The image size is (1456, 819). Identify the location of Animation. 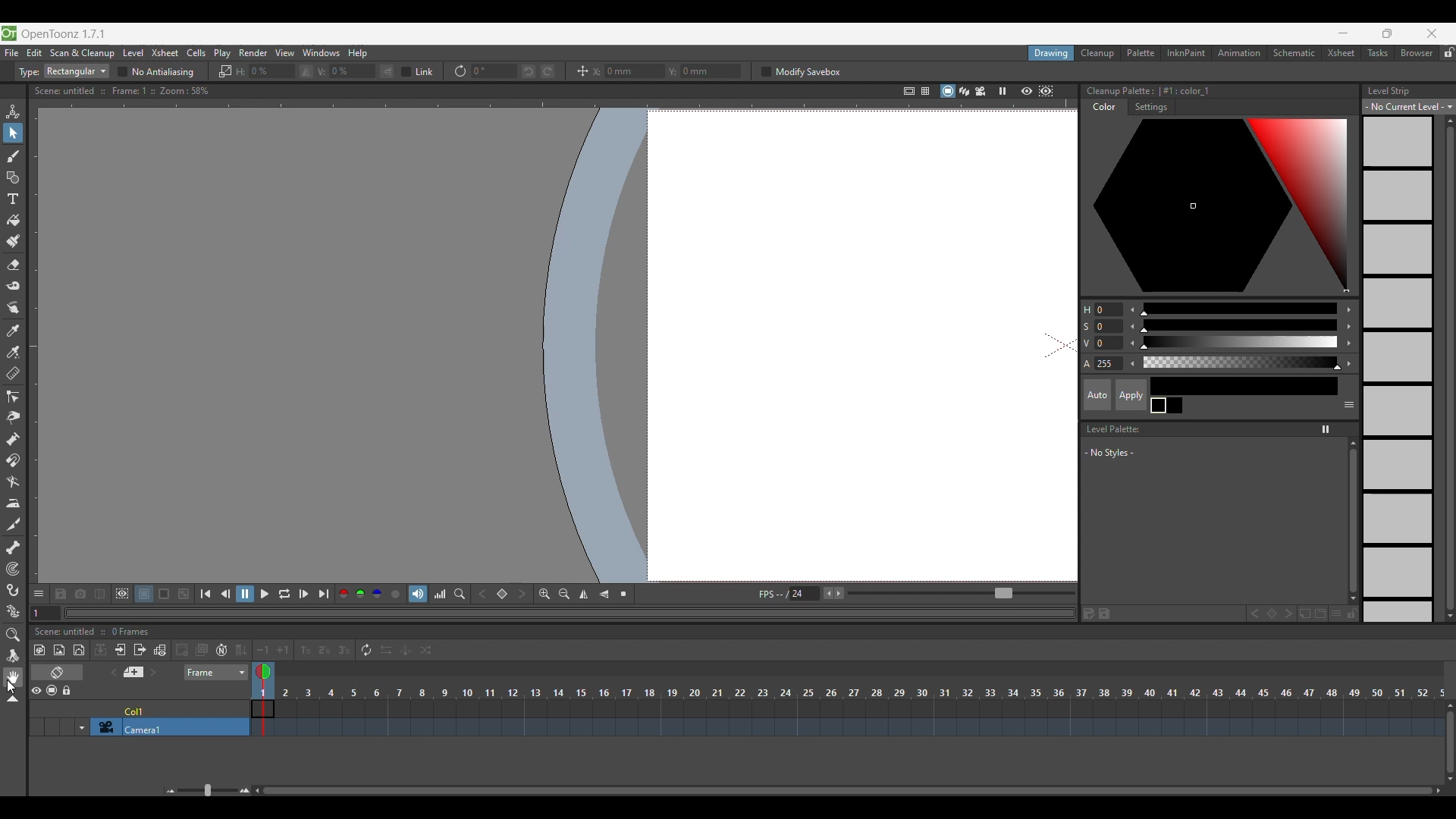
(1239, 53).